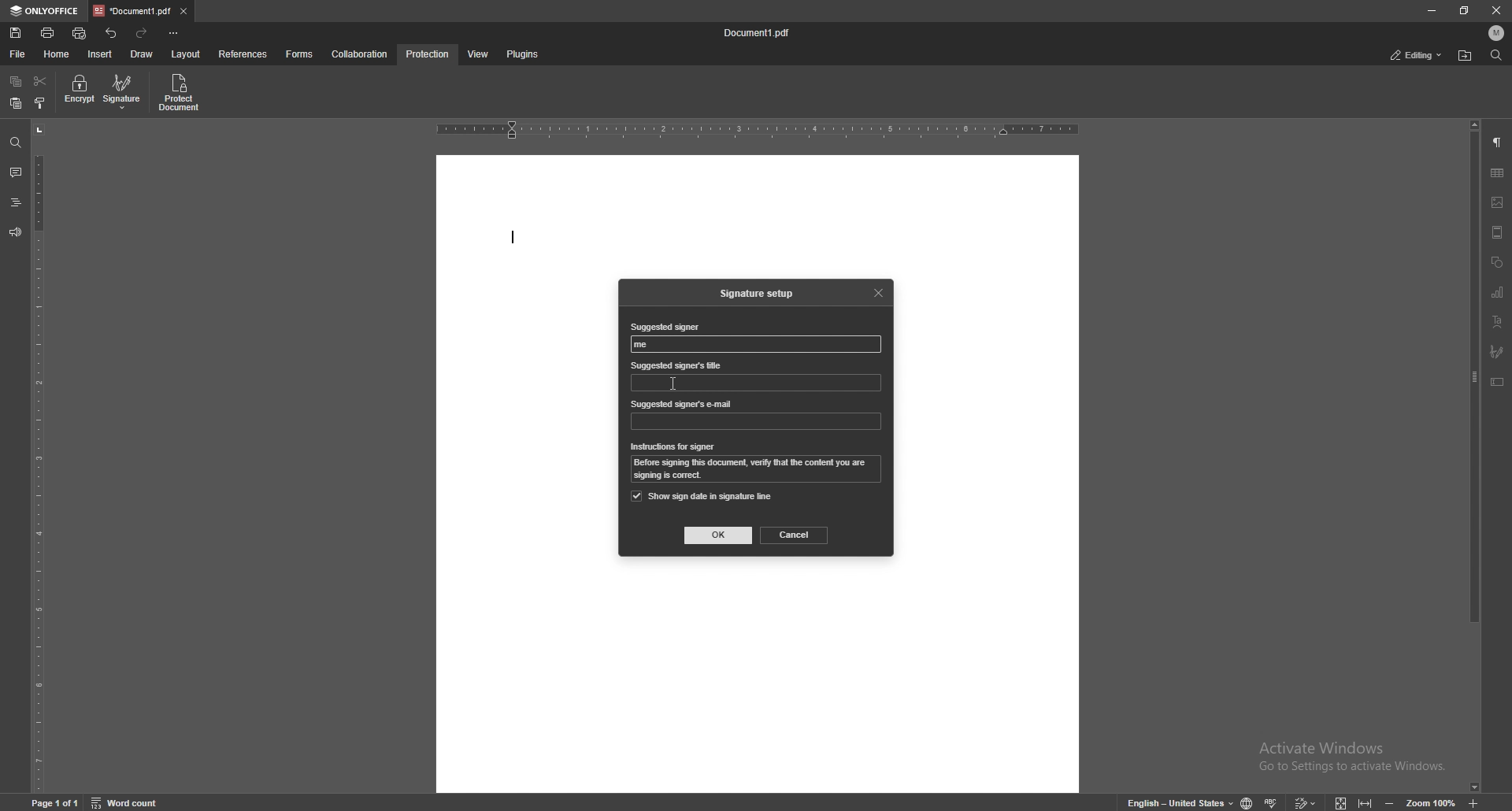 This screenshot has height=811, width=1512. I want to click on spell check, so click(1273, 799).